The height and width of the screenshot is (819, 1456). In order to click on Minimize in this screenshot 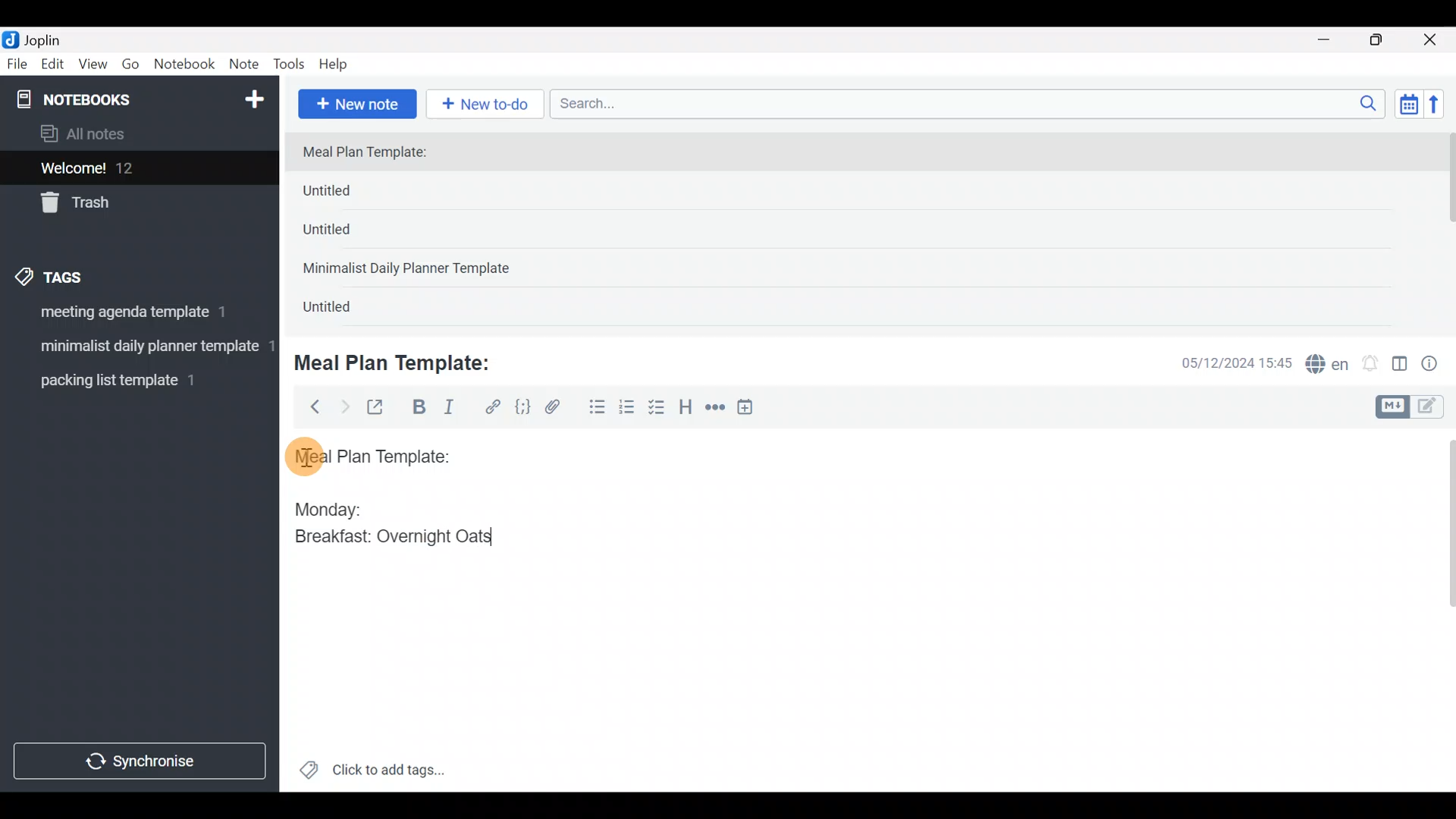, I will do `click(1332, 38)`.